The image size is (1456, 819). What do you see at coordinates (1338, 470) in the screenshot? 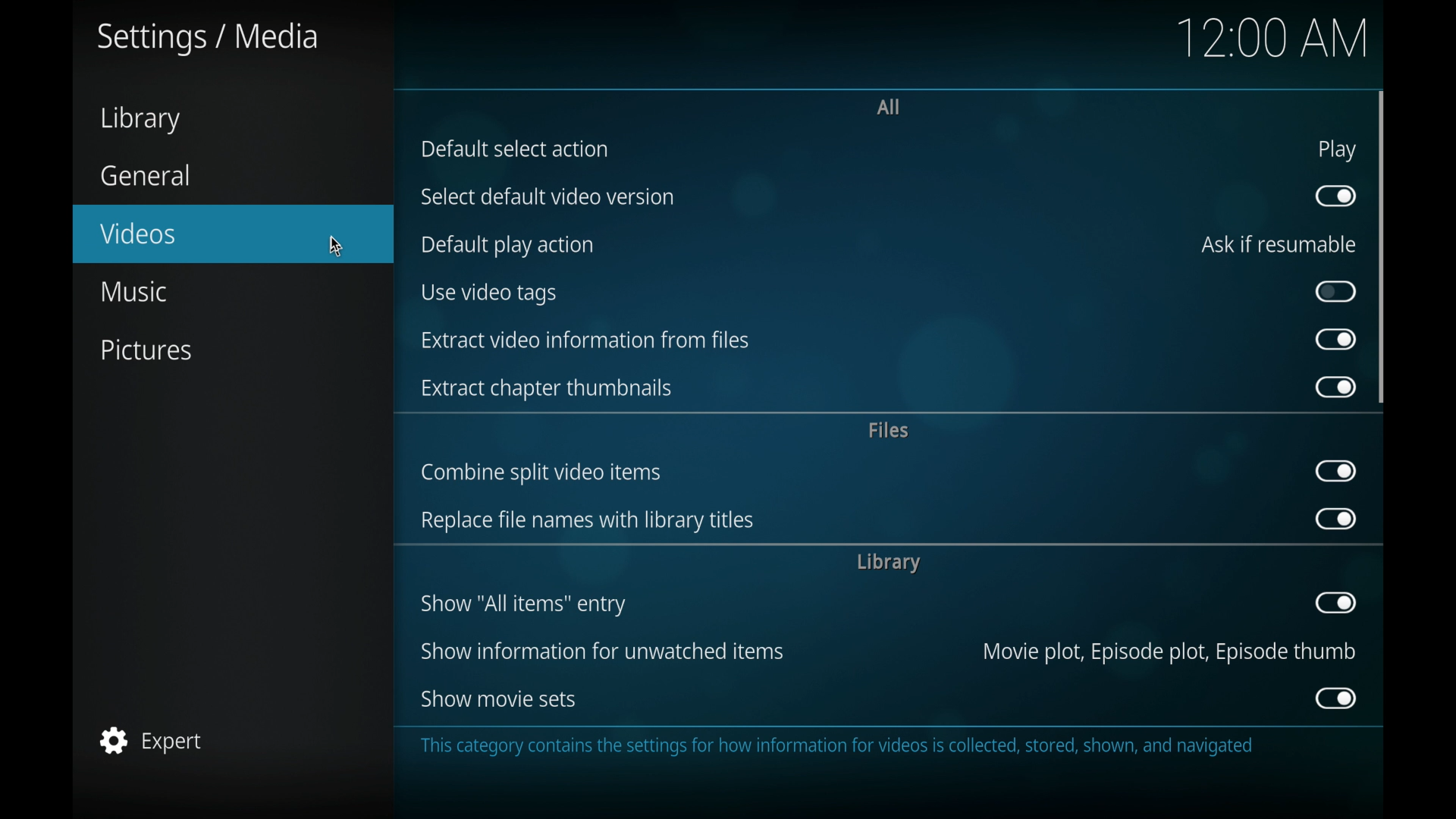
I see `toggle button` at bounding box center [1338, 470].